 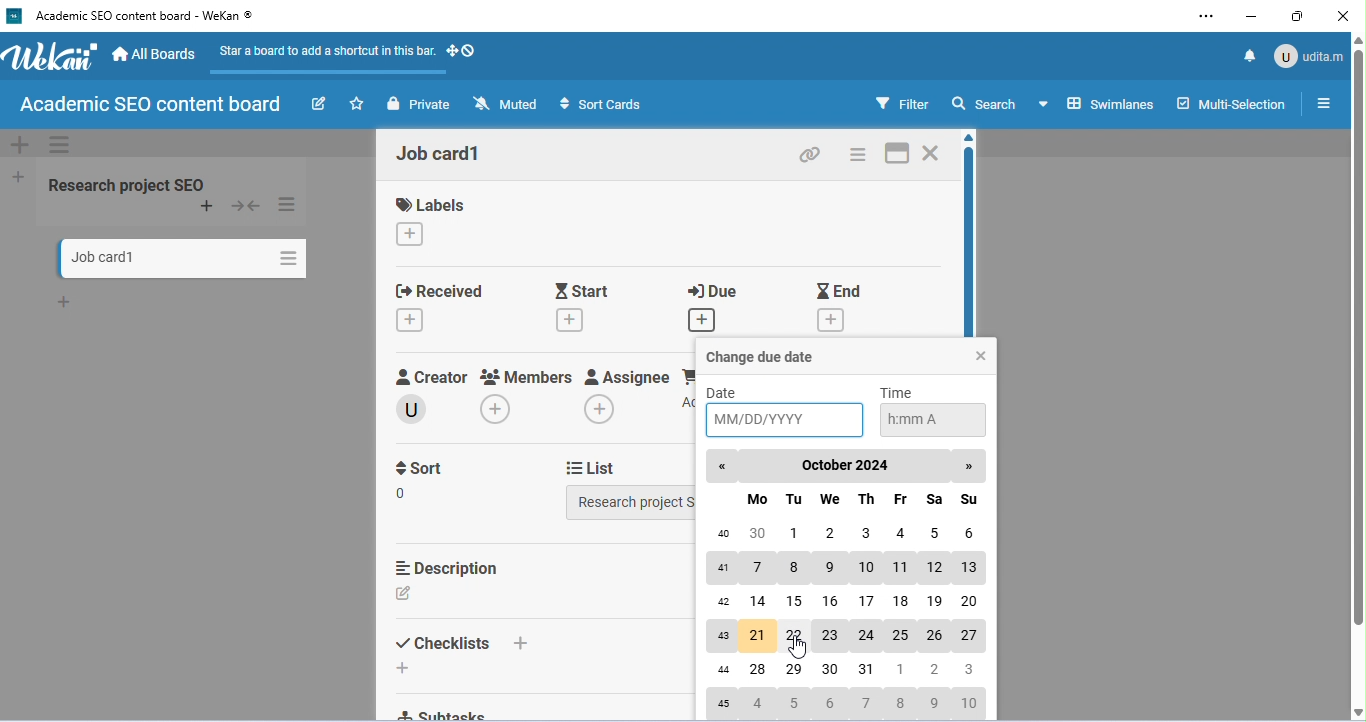 What do you see at coordinates (126, 183) in the screenshot?
I see `research project SEO` at bounding box center [126, 183].